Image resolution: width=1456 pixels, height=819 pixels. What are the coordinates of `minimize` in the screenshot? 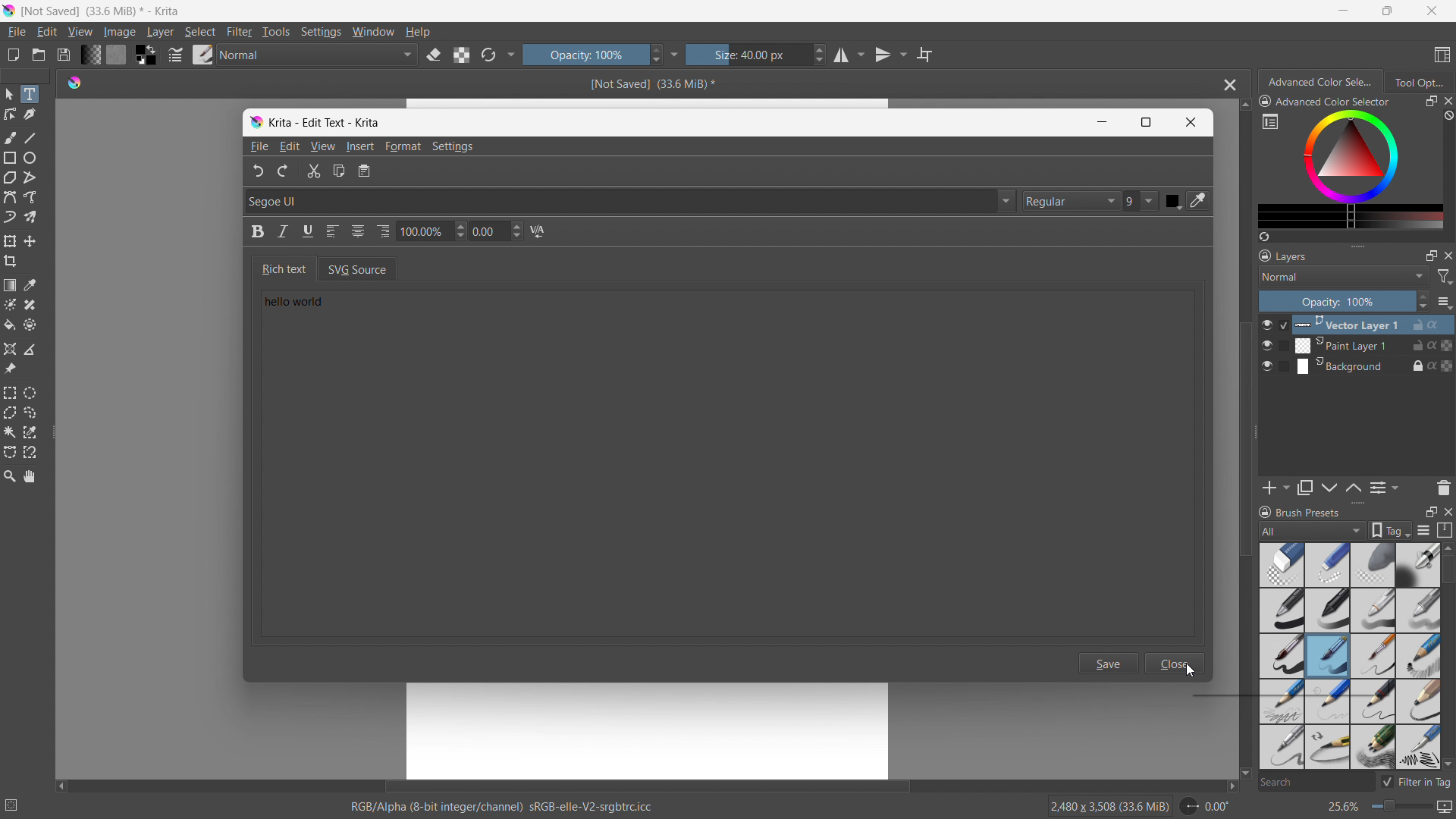 It's located at (1344, 10).